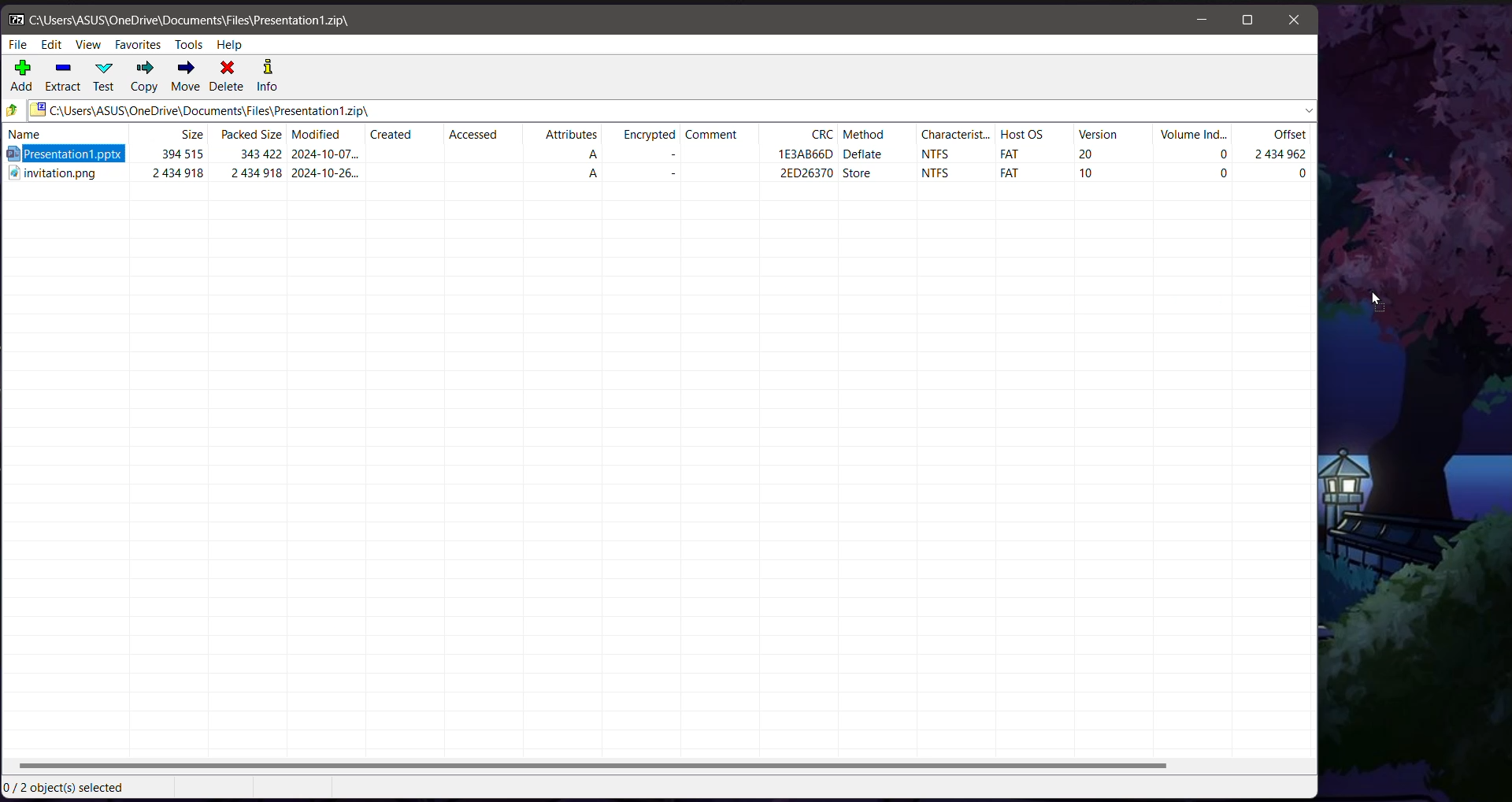 This screenshot has width=1512, height=802. What do you see at coordinates (1095, 176) in the screenshot?
I see `10` at bounding box center [1095, 176].